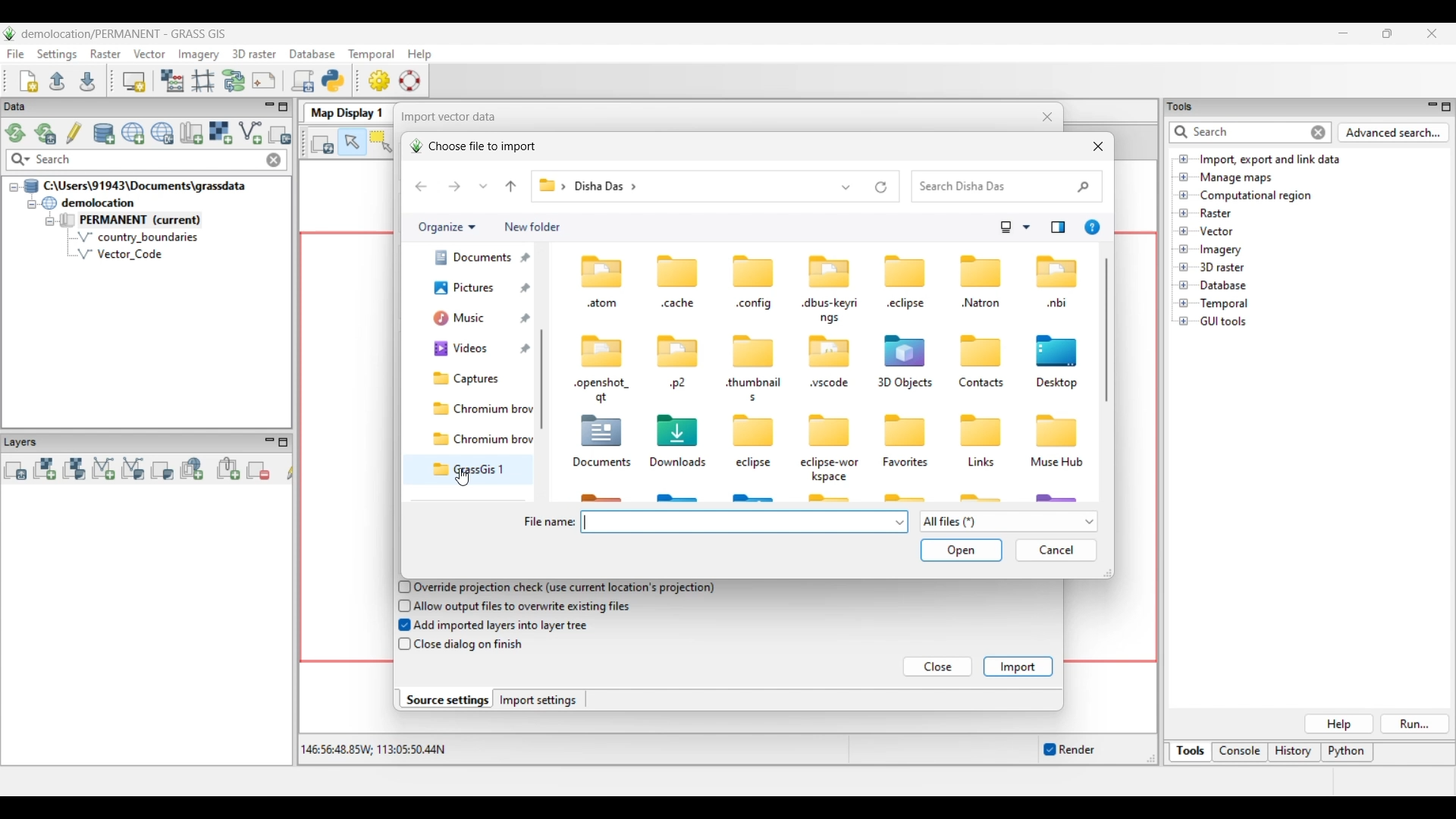  Describe the element at coordinates (1431, 33) in the screenshot. I see `Close interface` at that location.